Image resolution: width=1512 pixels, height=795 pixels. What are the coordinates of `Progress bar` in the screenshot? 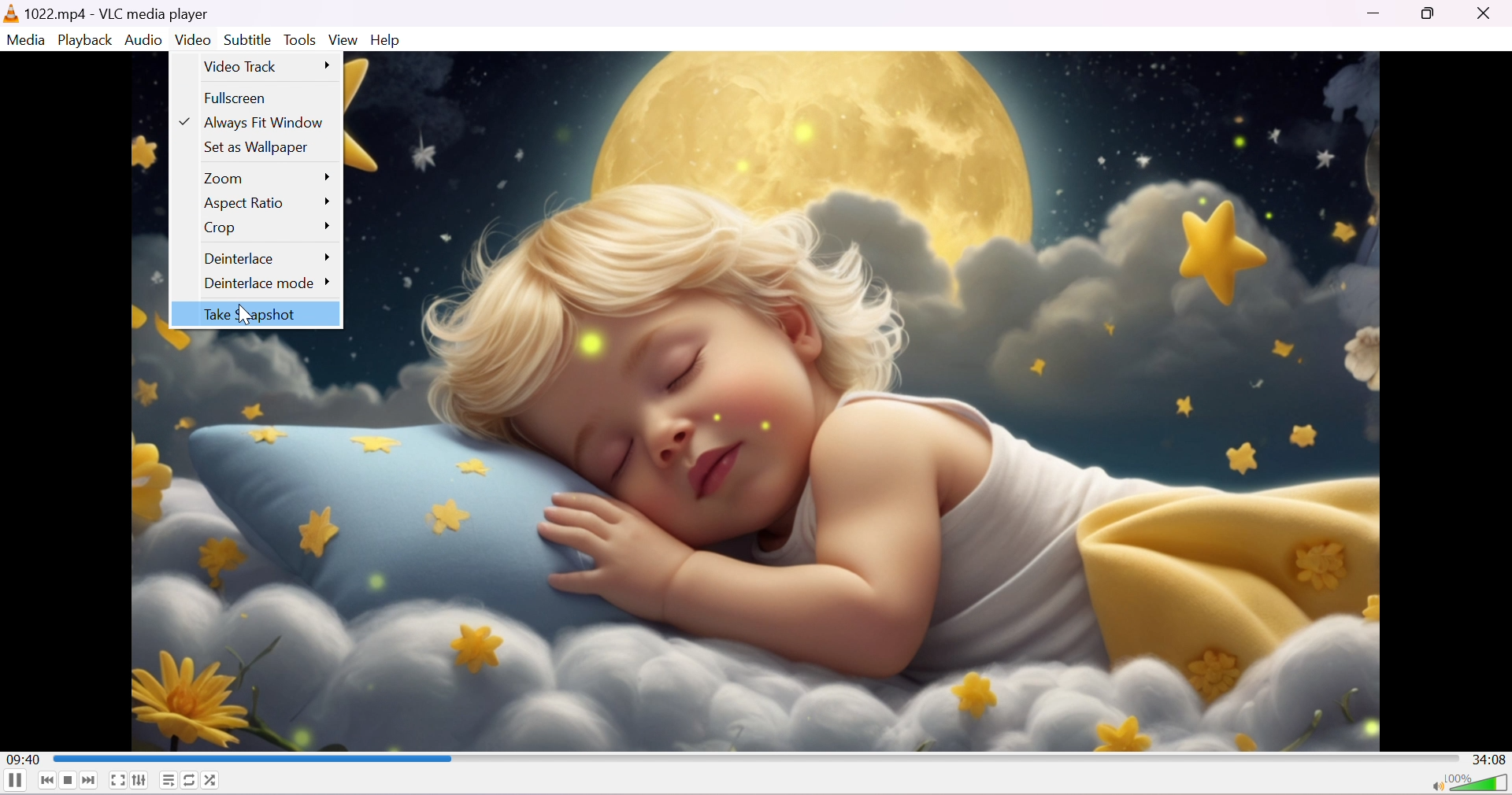 It's located at (756, 757).